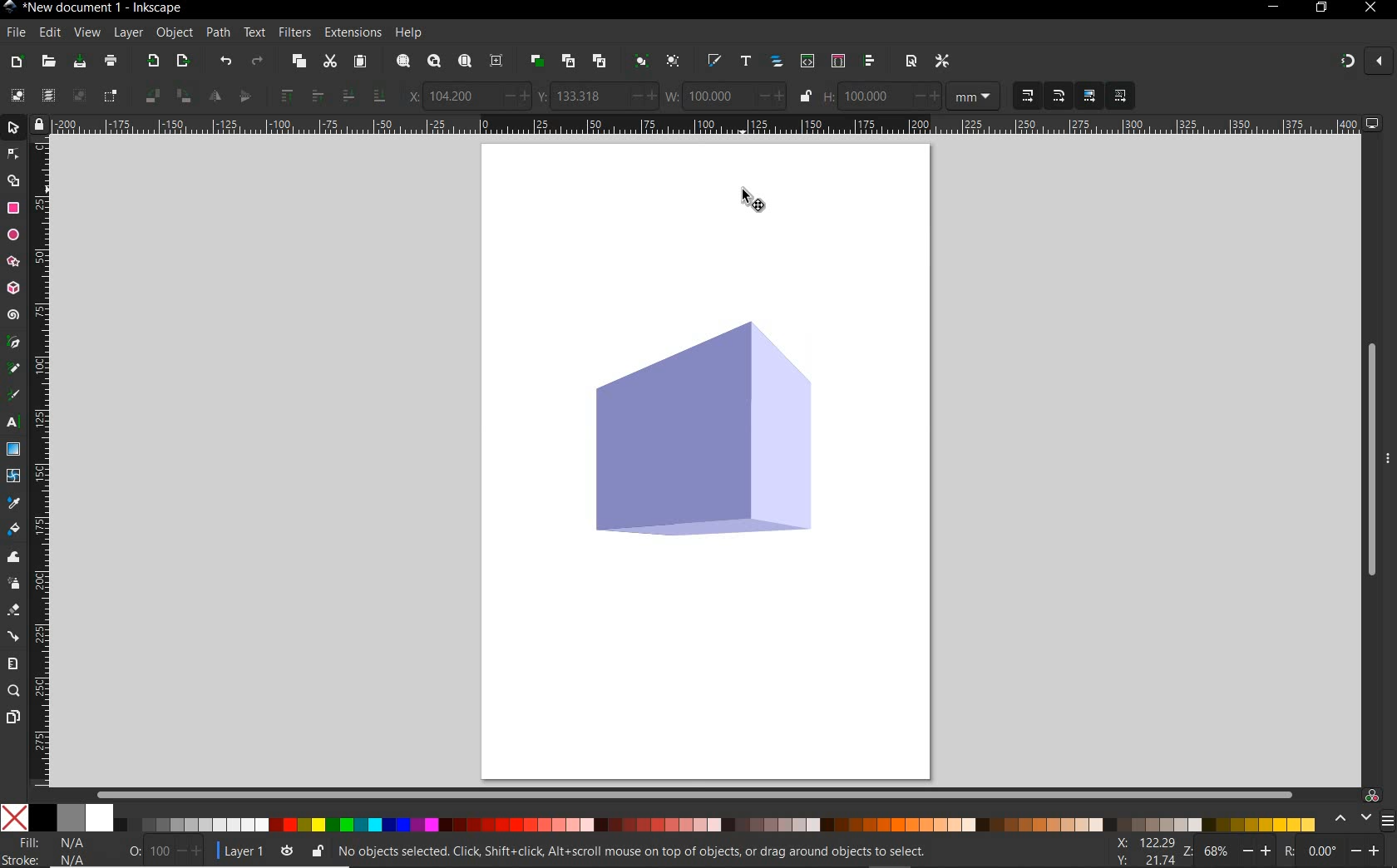 The width and height of the screenshot is (1397, 868). I want to click on select all, so click(18, 93).